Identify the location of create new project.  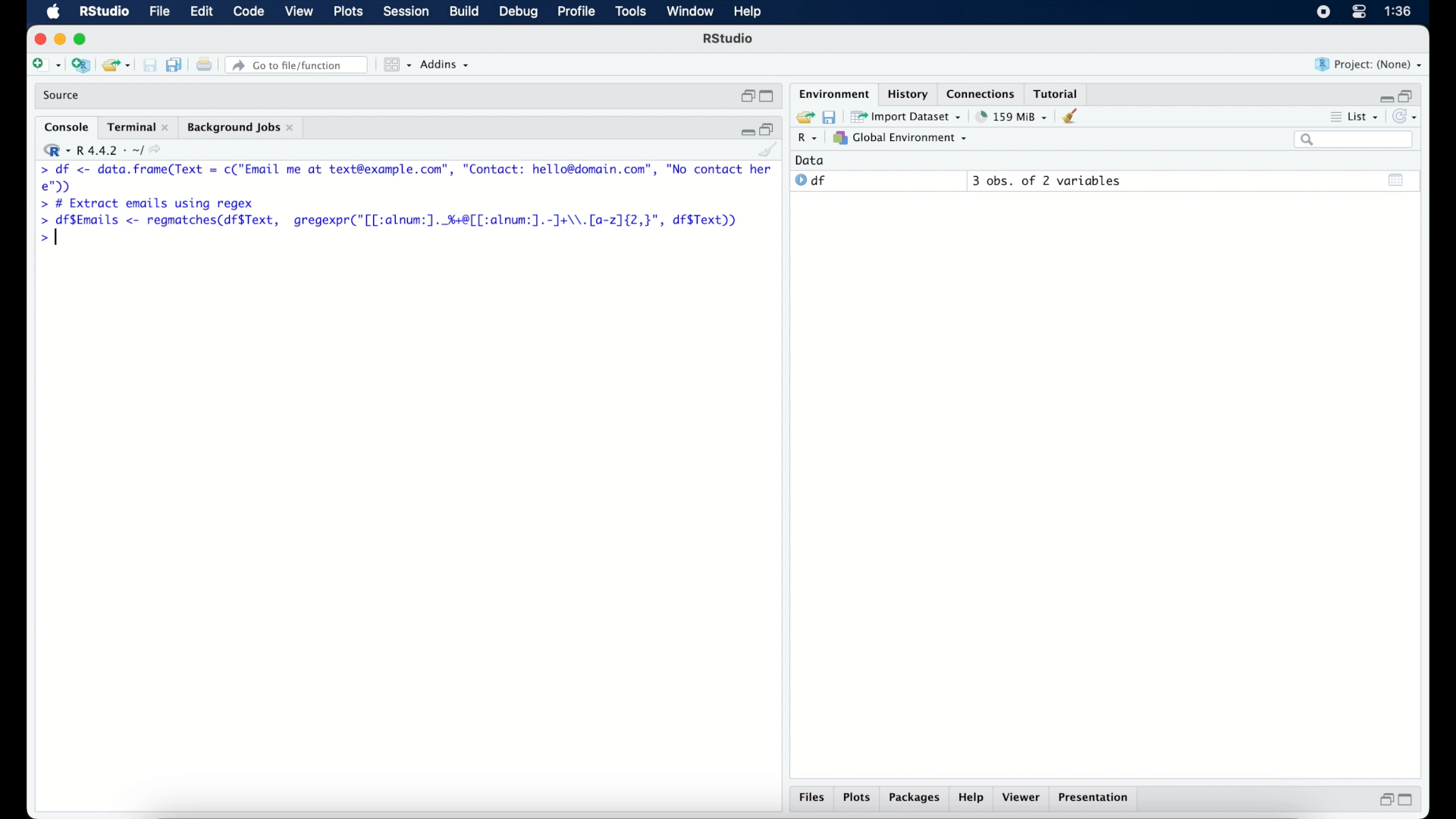
(80, 64).